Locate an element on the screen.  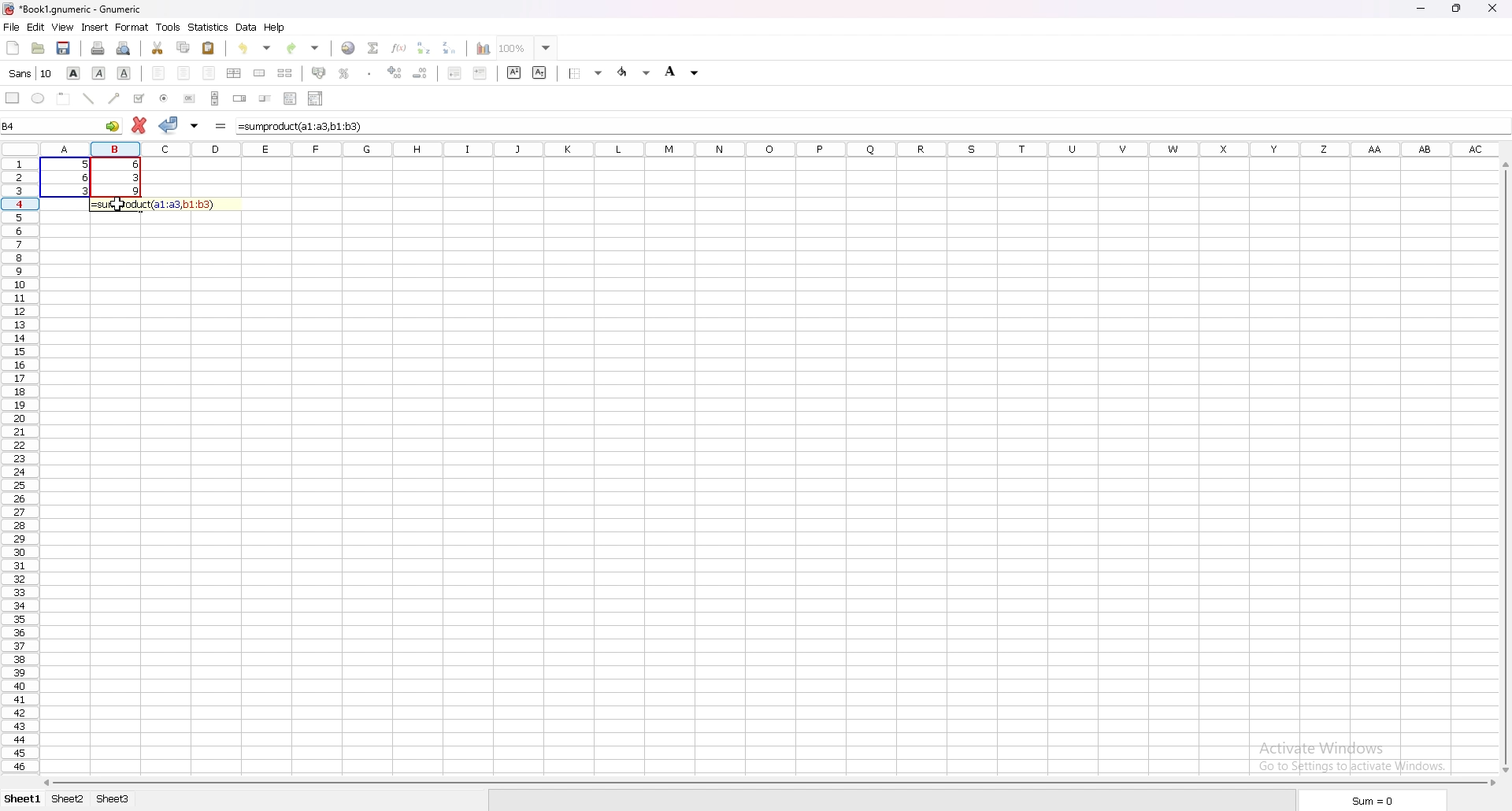
font is located at coordinates (31, 73).